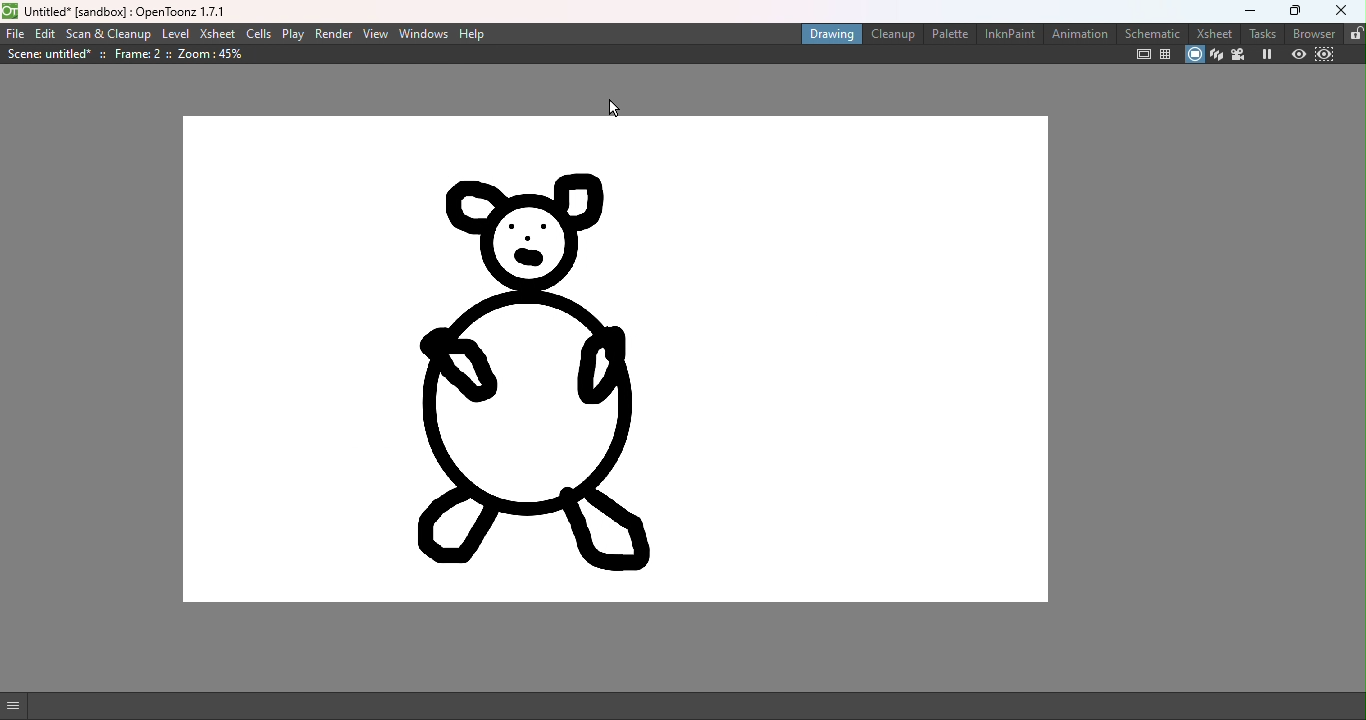  I want to click on Sub-camera preview, so click(1325, 55).